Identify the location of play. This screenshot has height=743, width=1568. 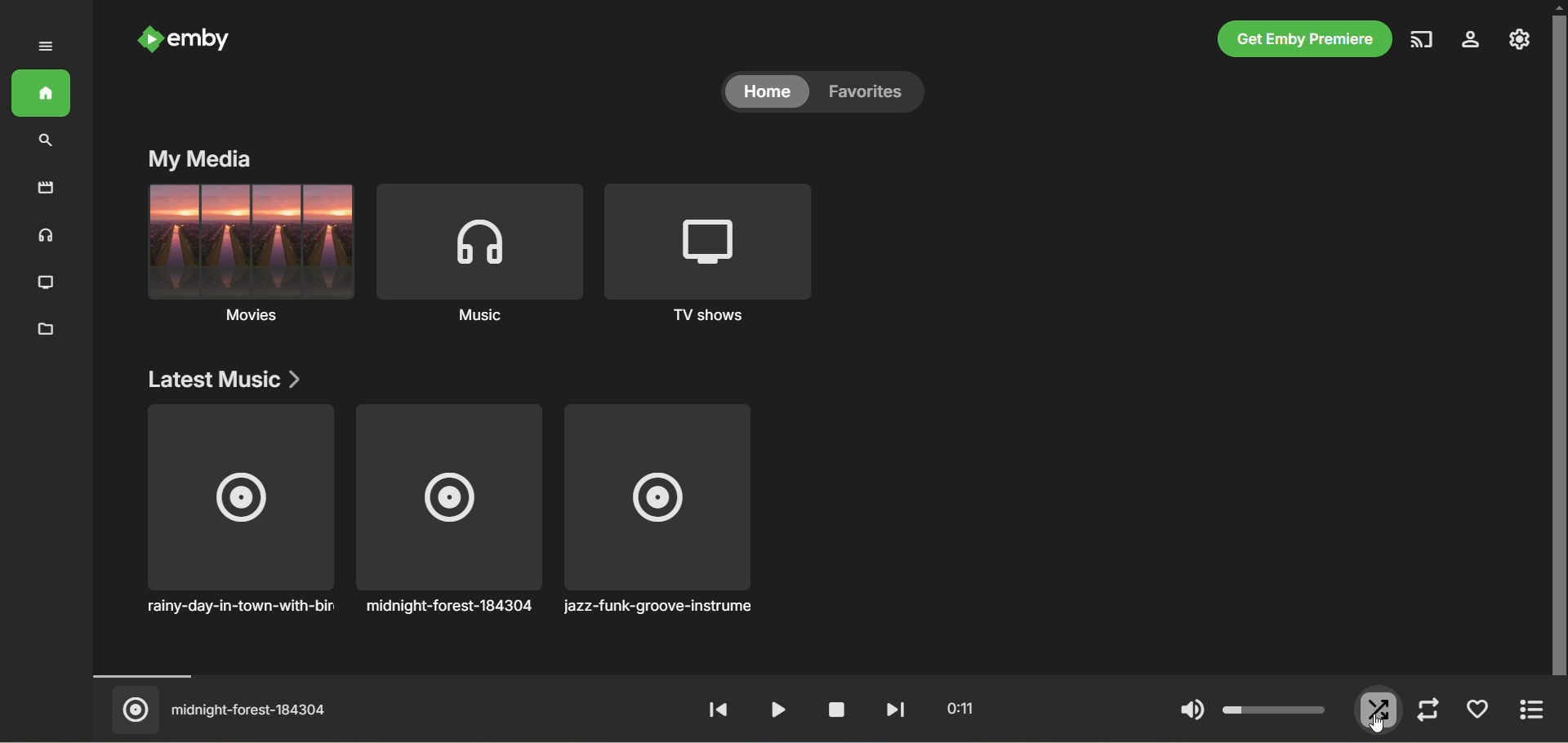
(773, 708).